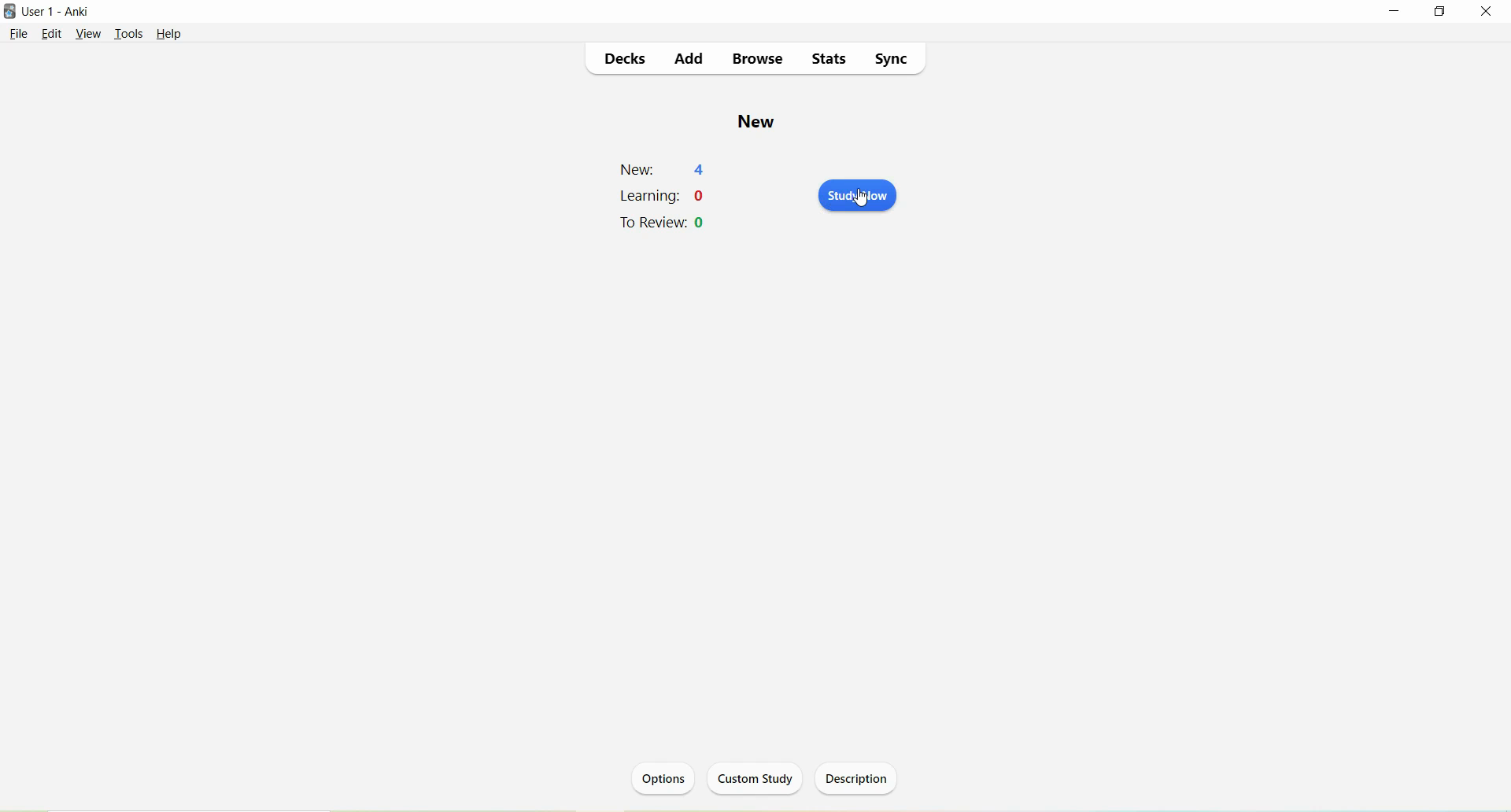  What do you see at coordinates (56, 12) in the screenshot?
I see `User 1 - Anki` at bounding box center [56, 12].